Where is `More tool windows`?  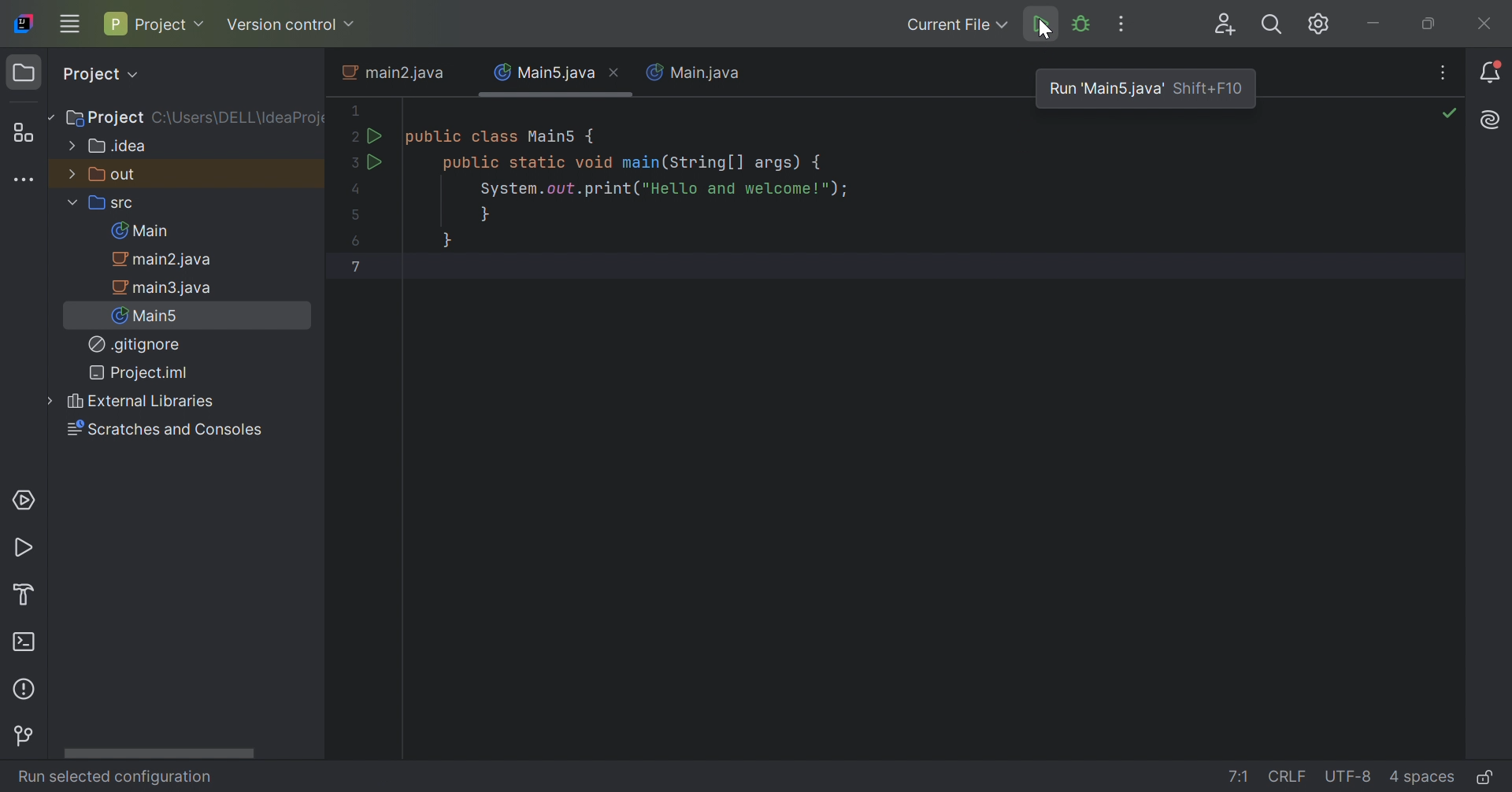
More tool windows is located at coordinates (26, 180).